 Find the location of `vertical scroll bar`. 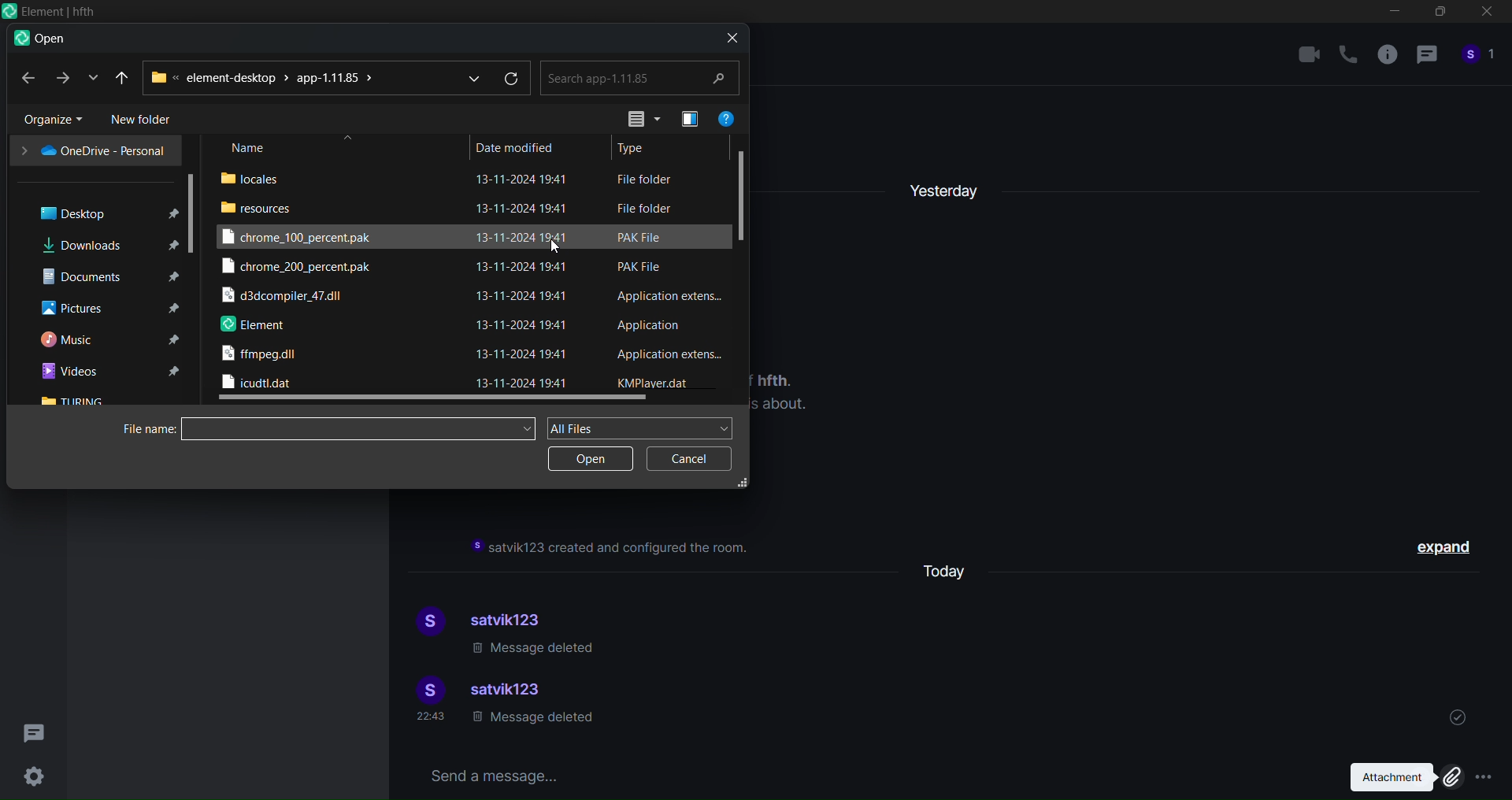

vertical scroll bar is located at coordinates (745, 191).